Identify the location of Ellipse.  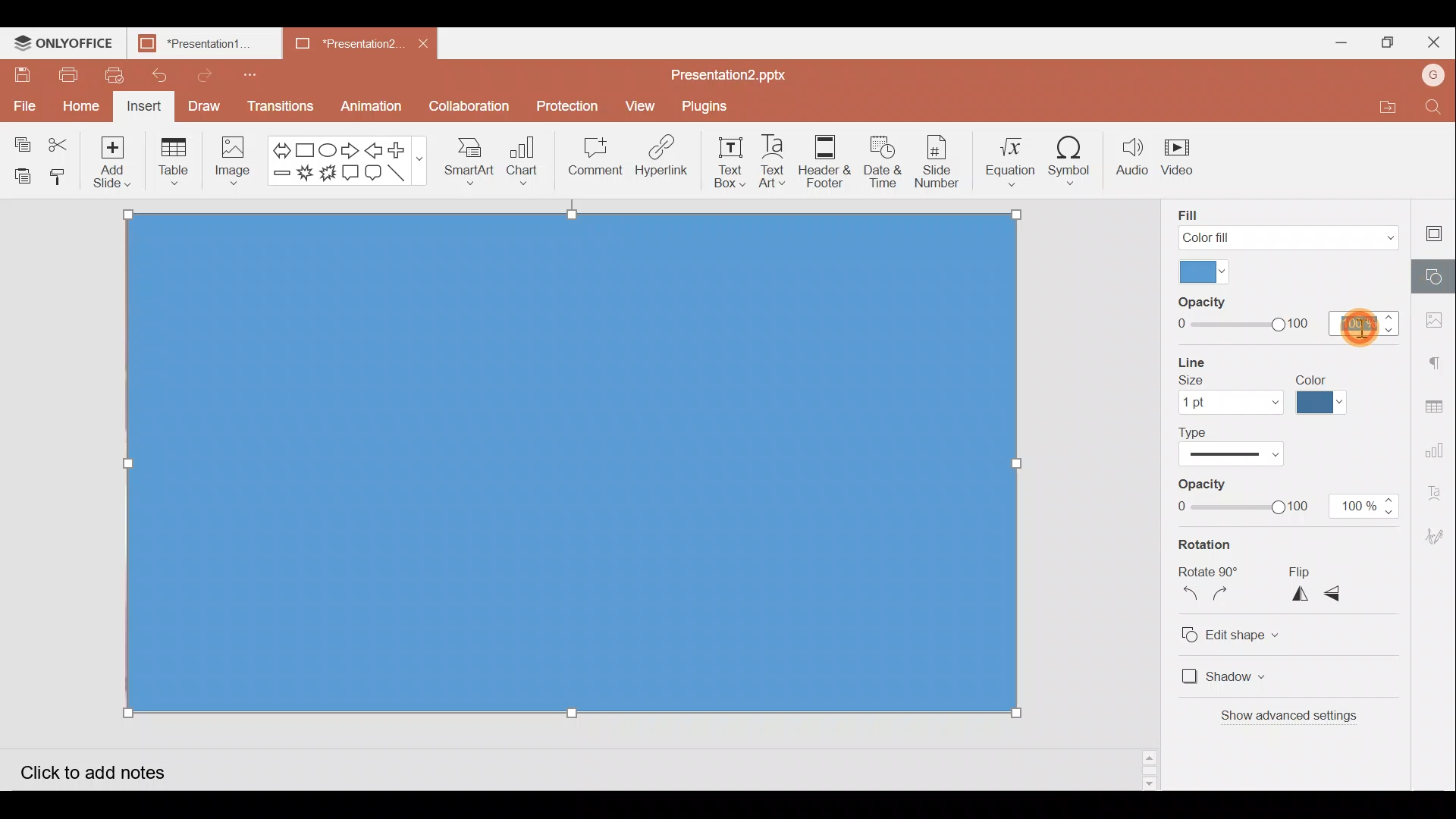
(329, 146).